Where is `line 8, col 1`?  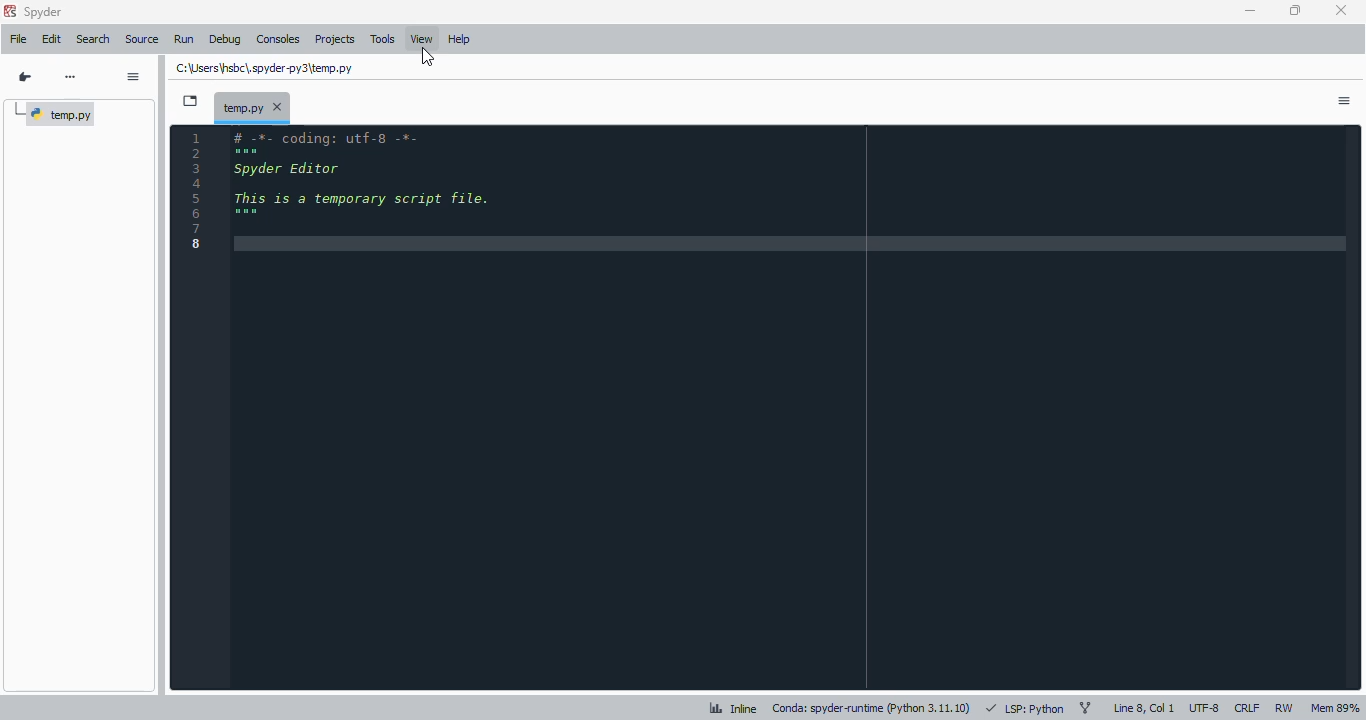
line 8, col 1 is located at coordinates (1144, 707).